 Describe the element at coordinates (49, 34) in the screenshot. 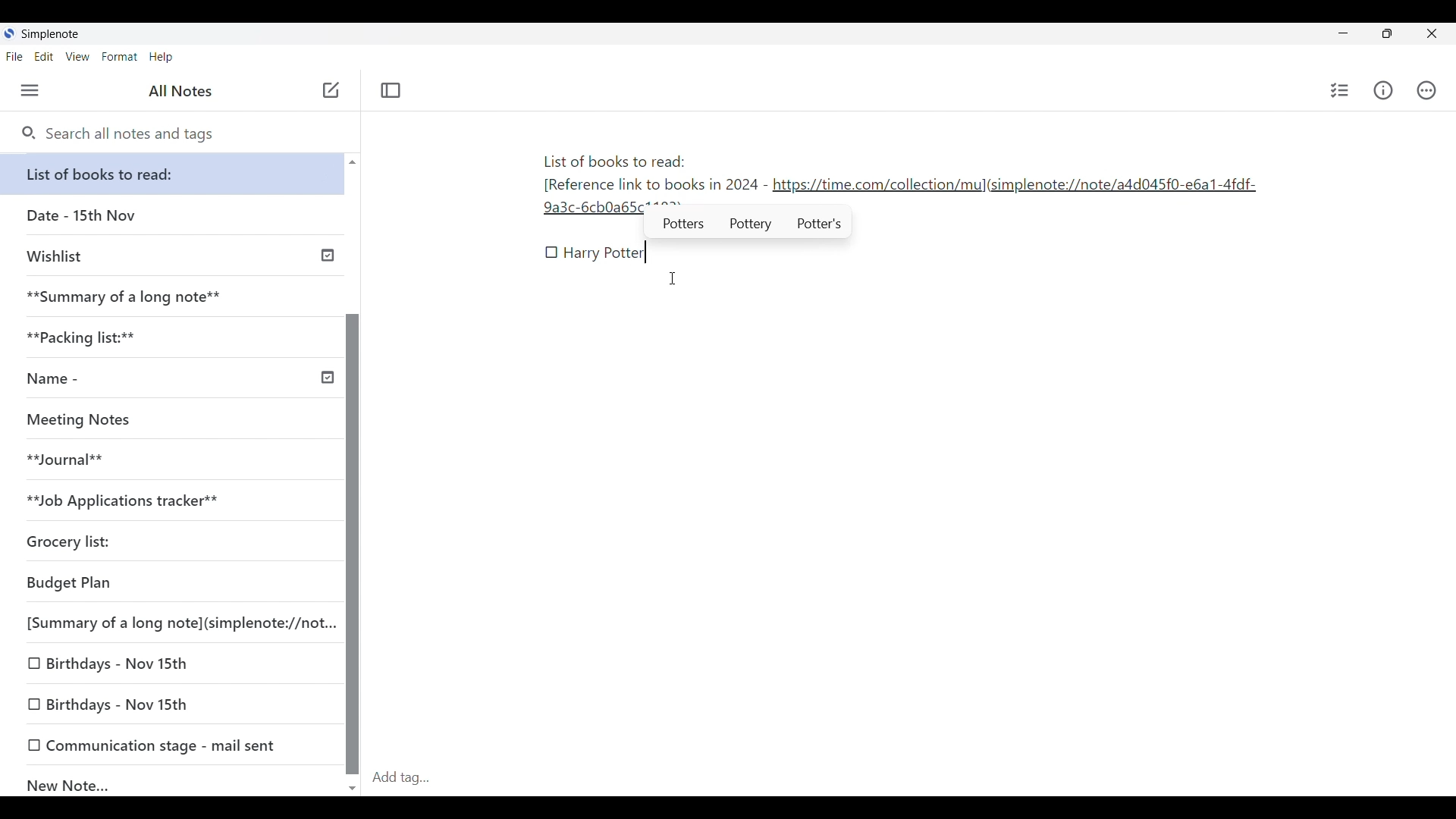

I see `Simplenote` at that location.